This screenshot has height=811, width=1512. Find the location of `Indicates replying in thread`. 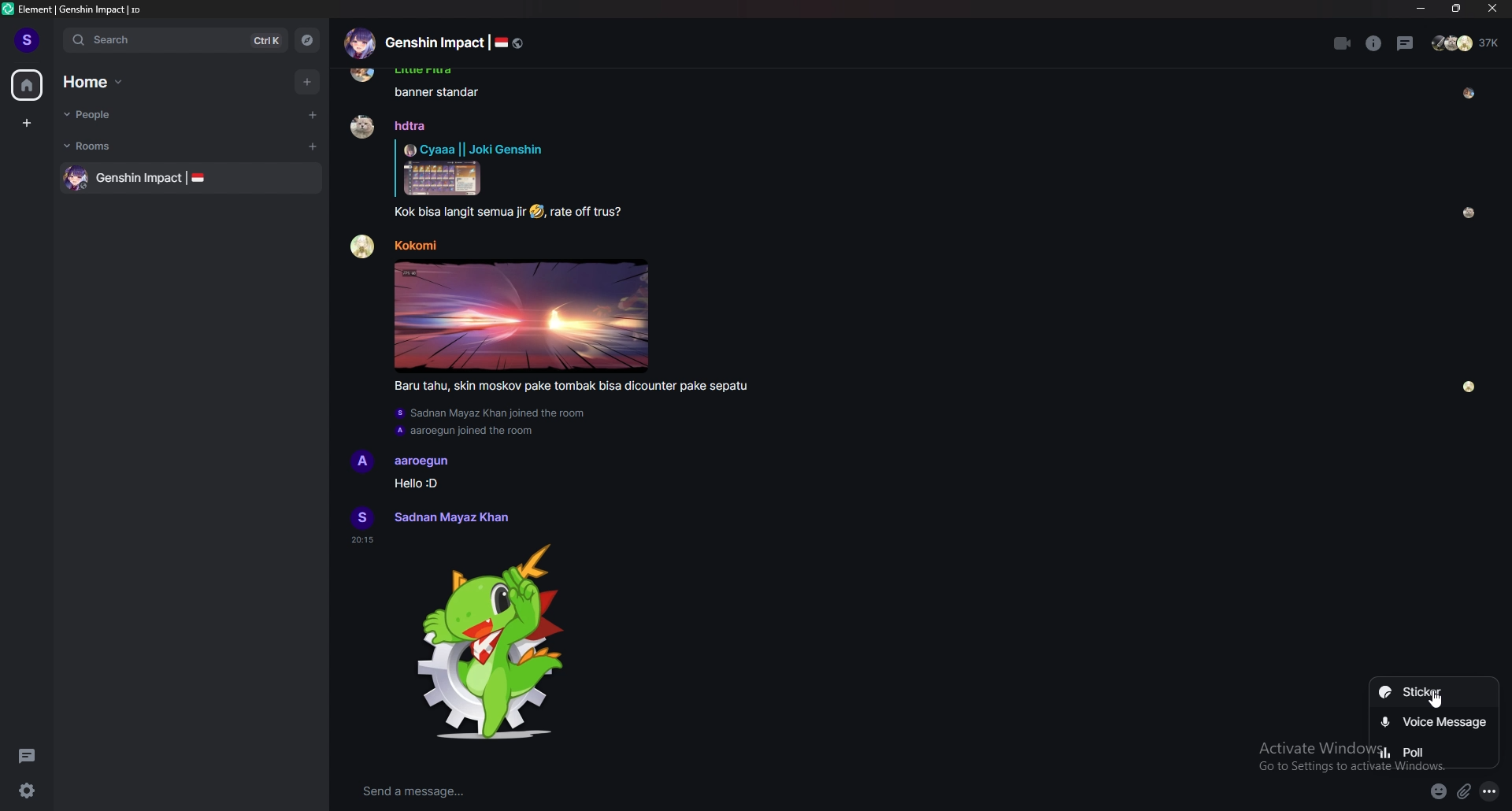

Indicates replying in thread is located at coordinates (395, 168).